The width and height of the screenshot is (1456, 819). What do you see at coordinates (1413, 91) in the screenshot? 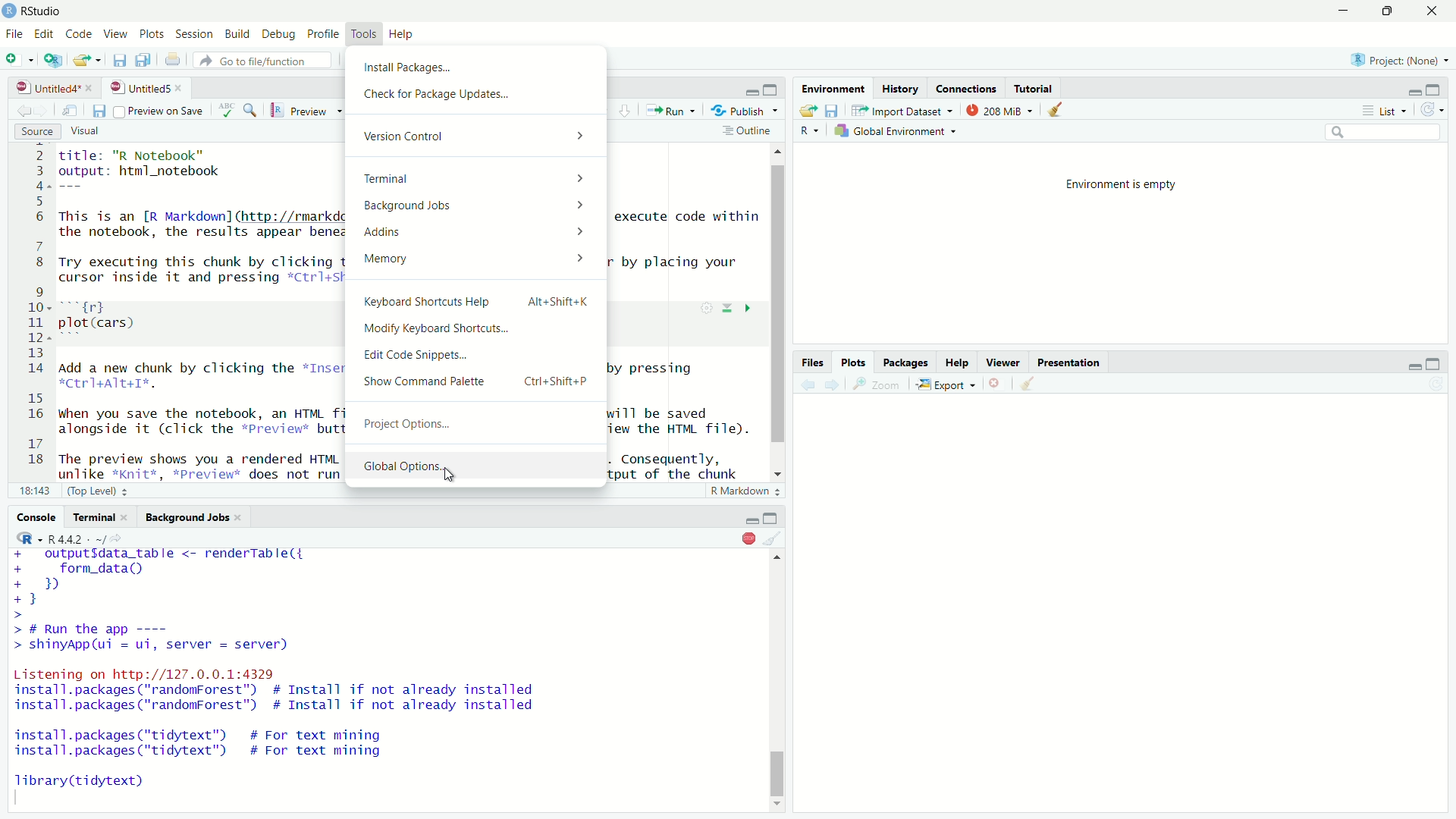
I see `minimize` at bounding box center [1413, 91].